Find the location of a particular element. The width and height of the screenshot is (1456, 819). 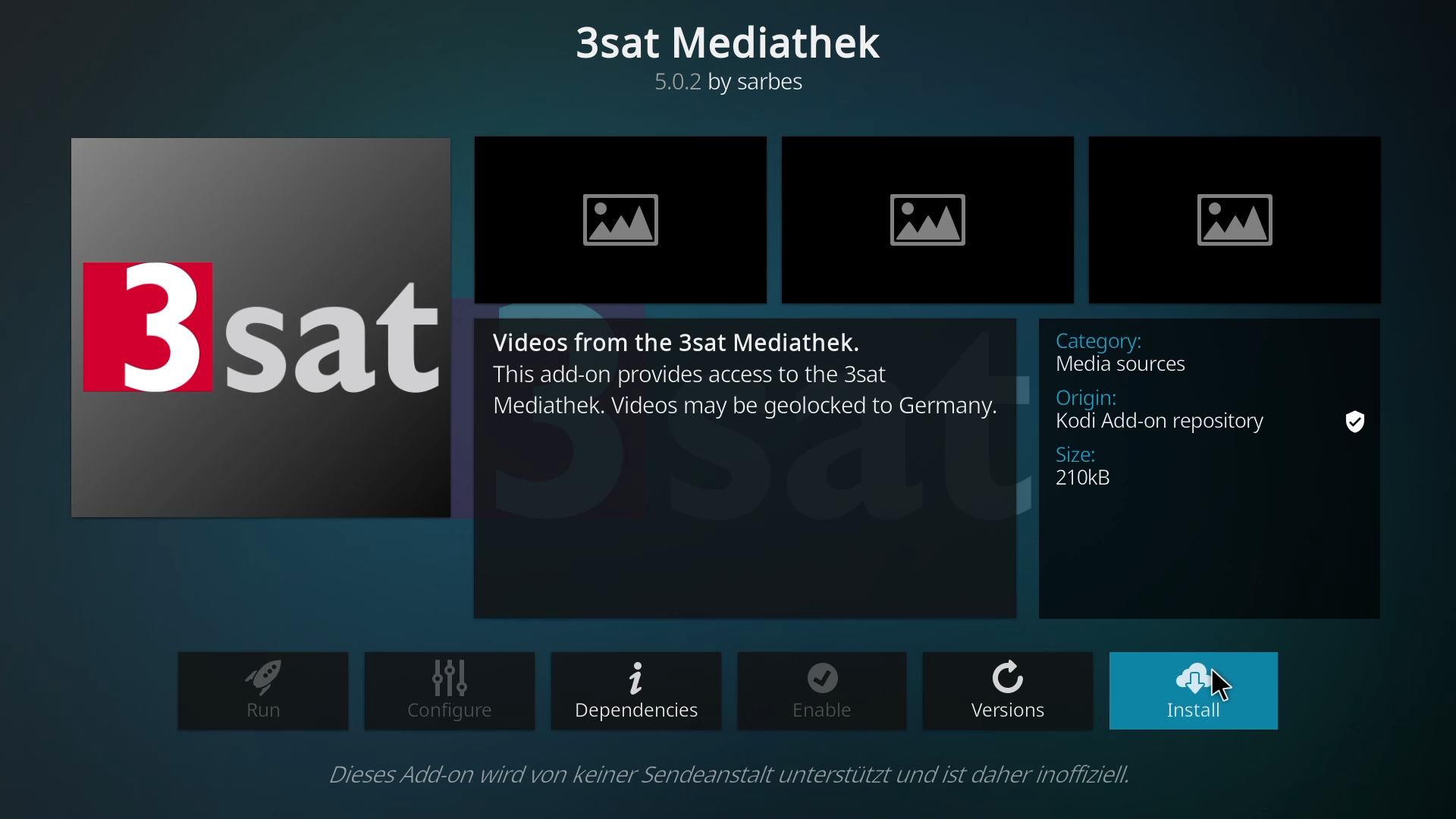

info is located at coordinates (733, 773).